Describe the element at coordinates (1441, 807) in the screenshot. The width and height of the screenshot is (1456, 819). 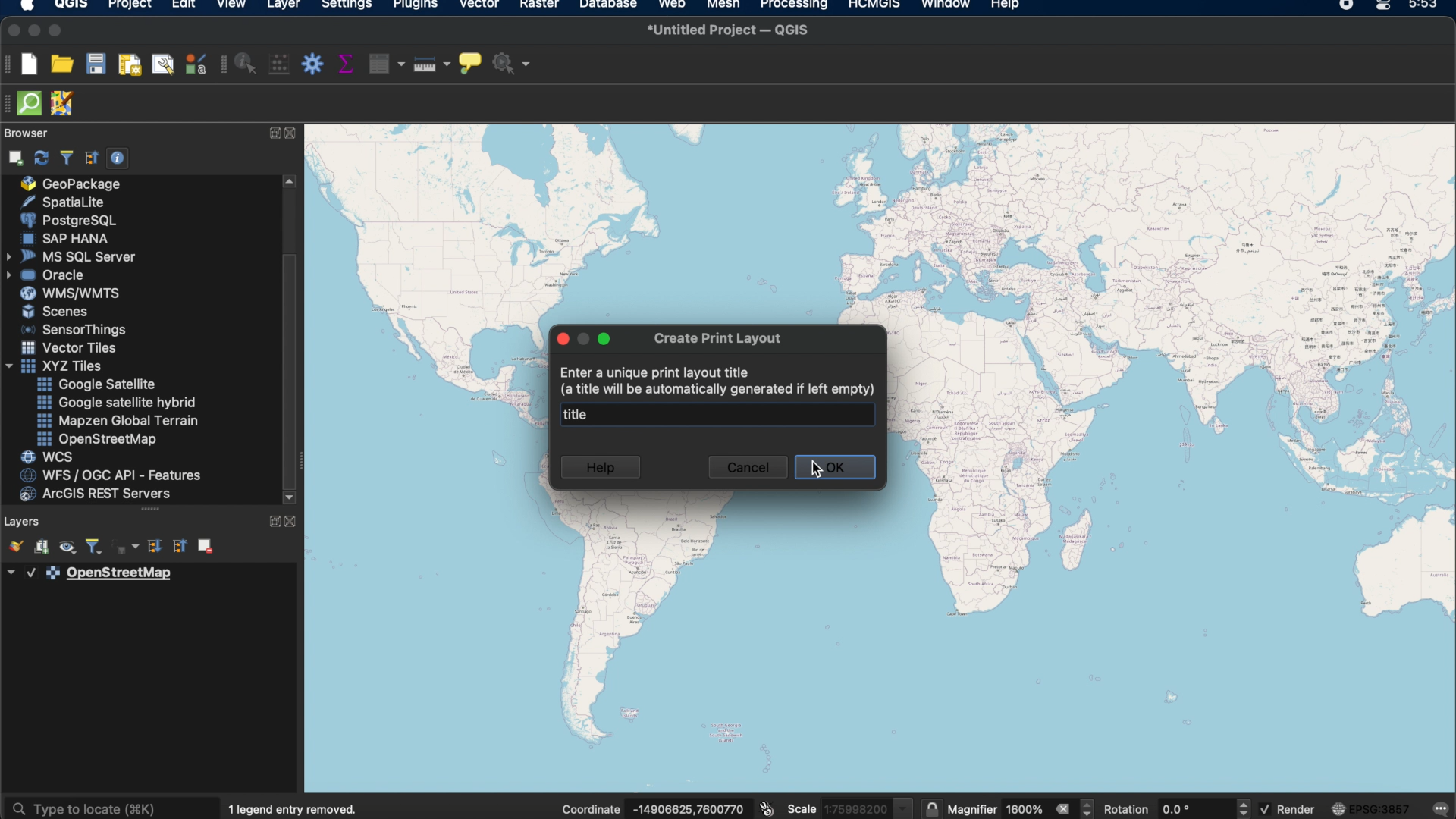
I see `messages` at that location.